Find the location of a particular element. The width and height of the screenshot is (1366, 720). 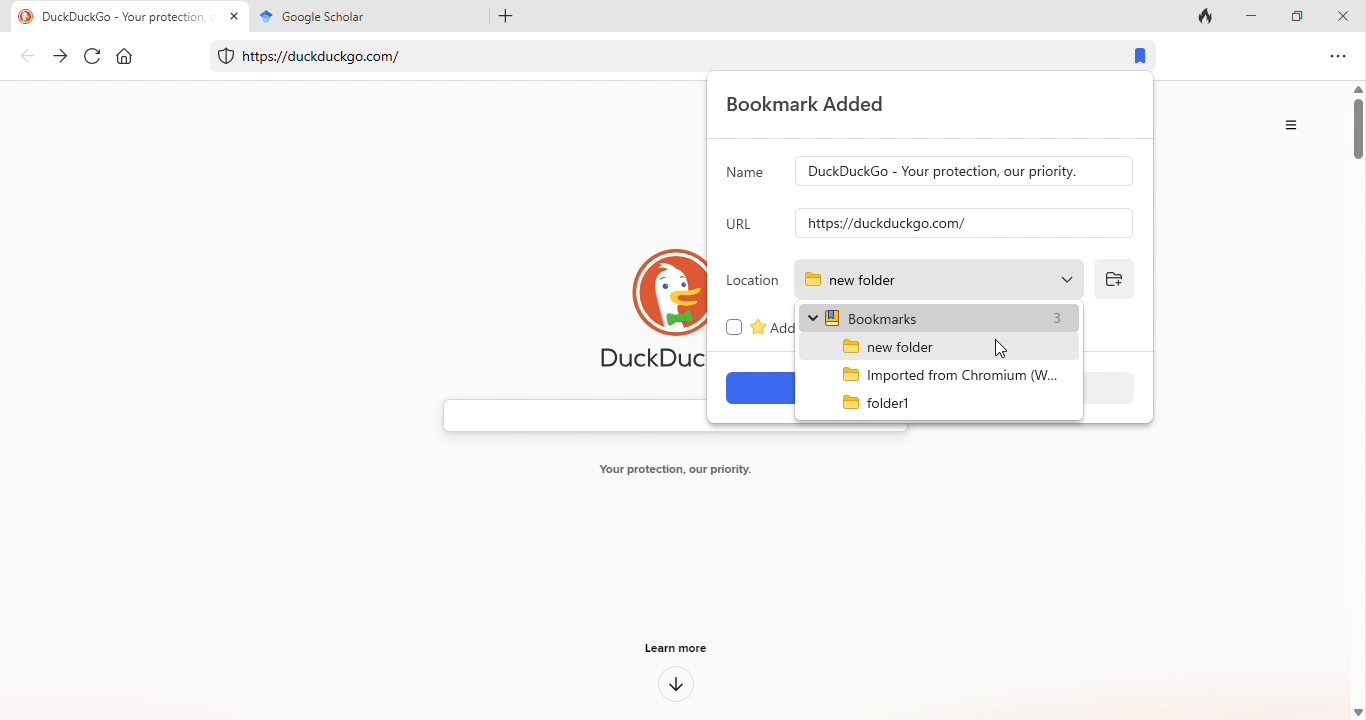

vertical scroll bar is located at coordinates (1357, 134).